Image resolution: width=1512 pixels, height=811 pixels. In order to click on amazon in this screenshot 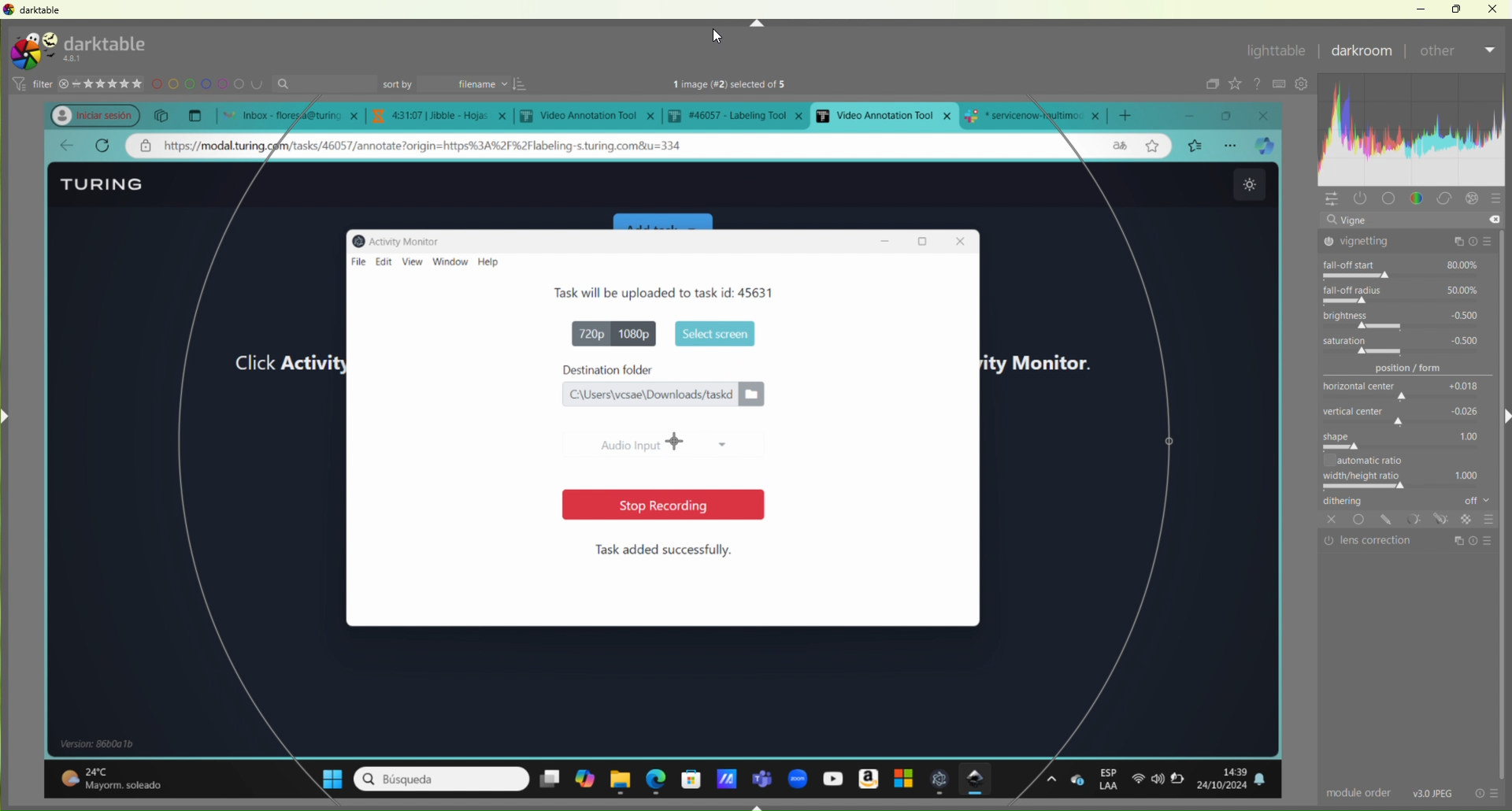, I will do `click(866, 777)`.